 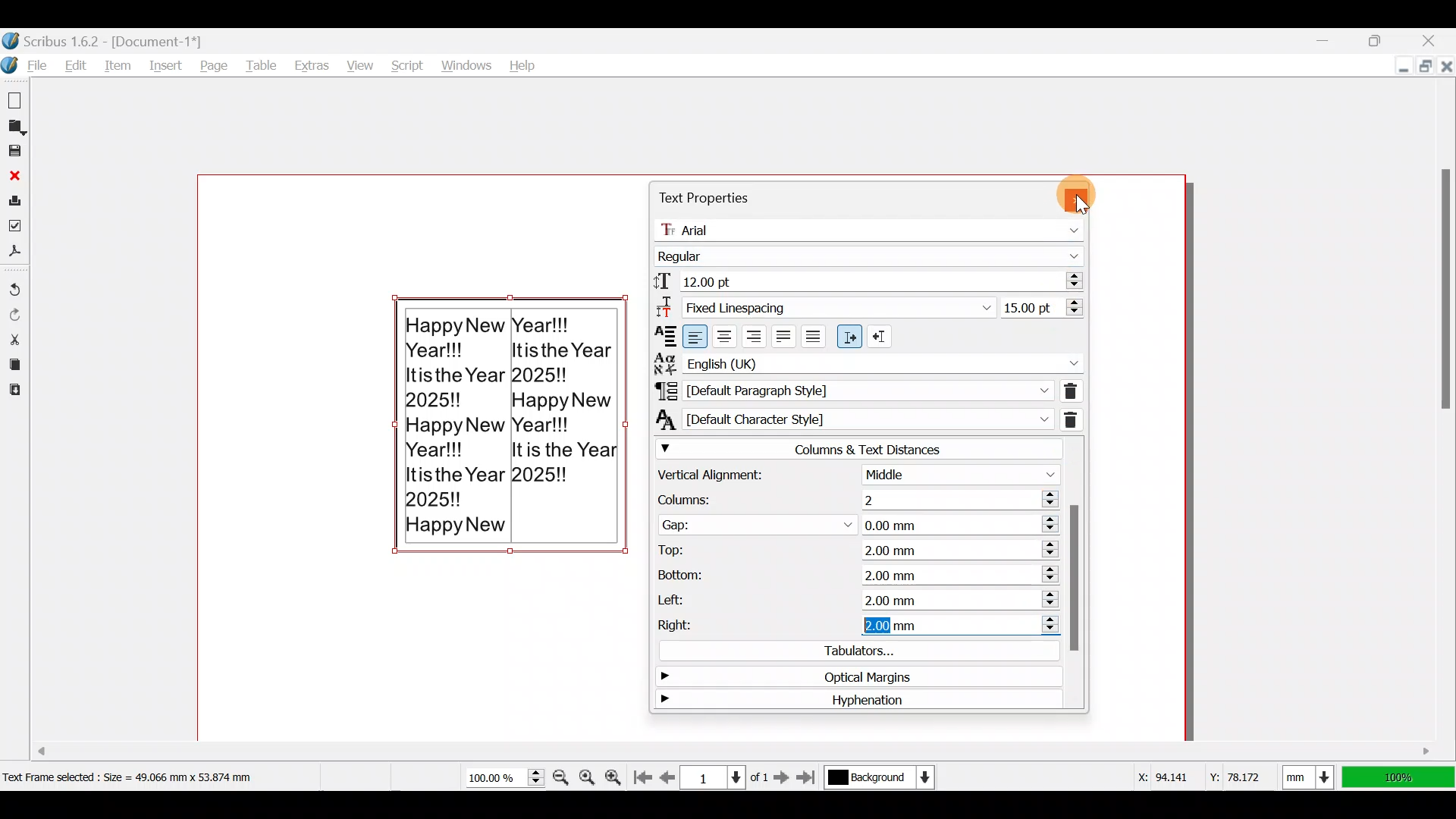 I want to click on Happy New Year, so click(x=510, y=436).